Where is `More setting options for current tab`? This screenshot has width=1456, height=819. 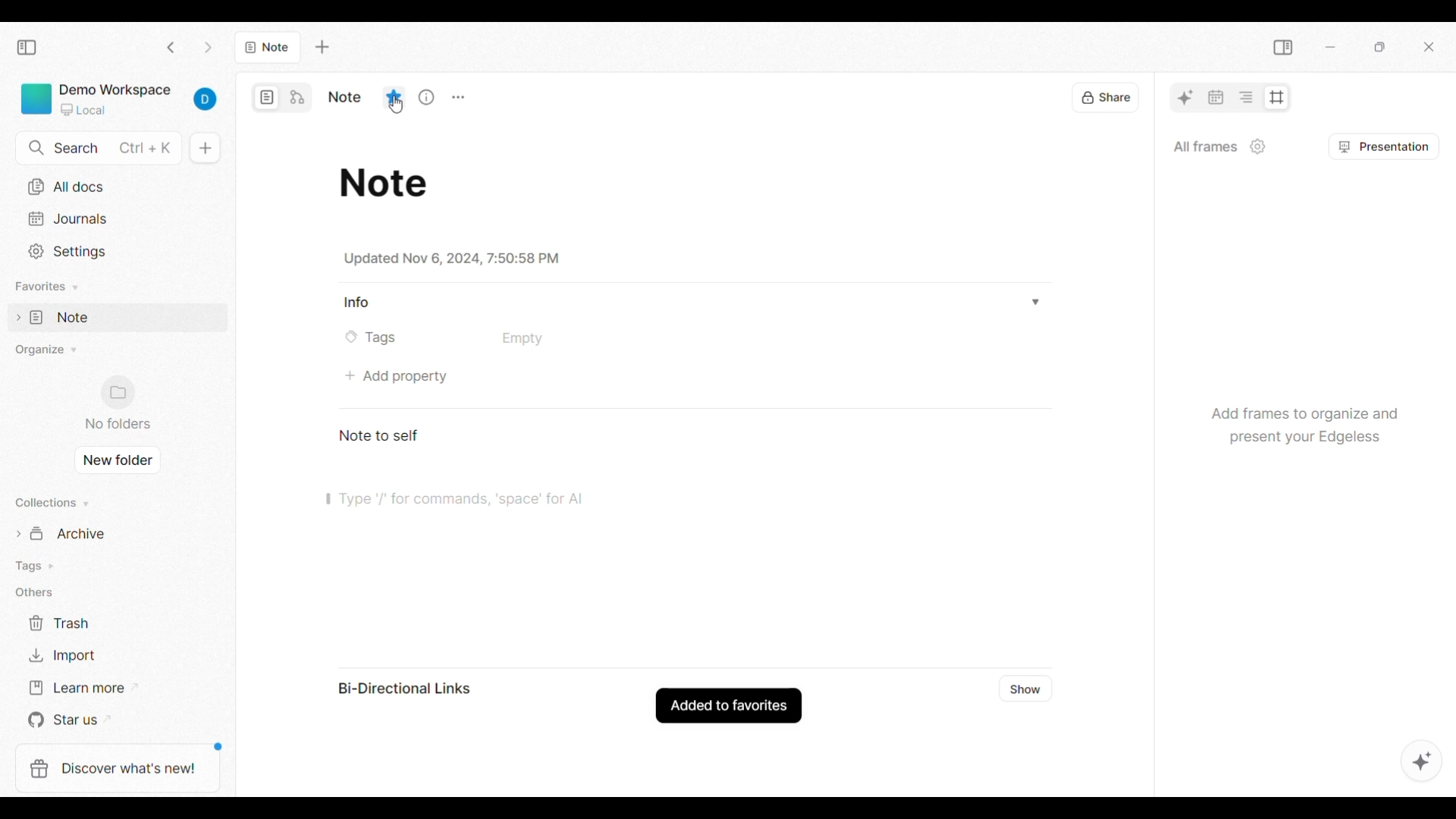 More setting options for current tab is located at coordinates (458, 98).